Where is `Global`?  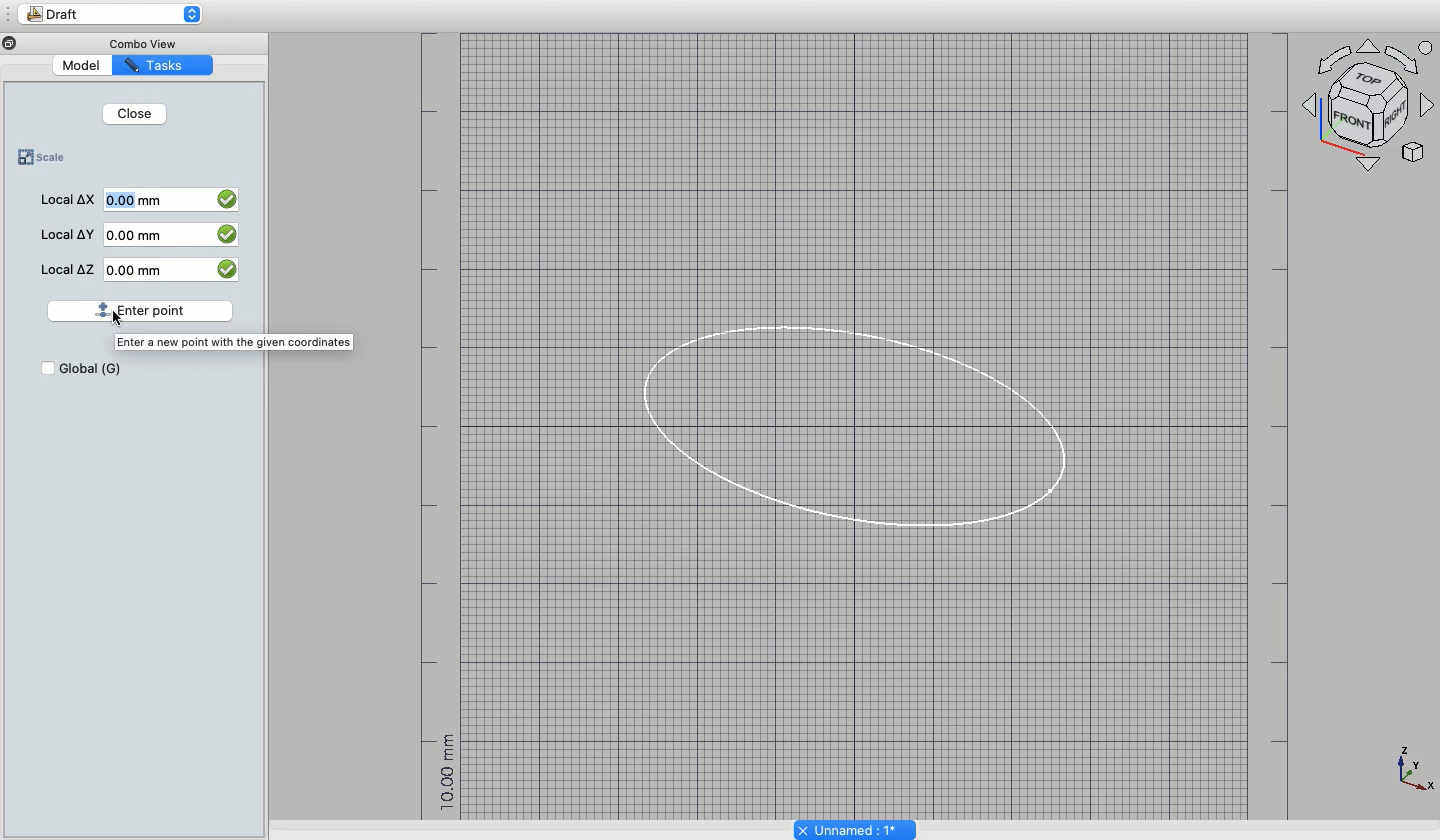
Global is located at coordinates (82, 368).